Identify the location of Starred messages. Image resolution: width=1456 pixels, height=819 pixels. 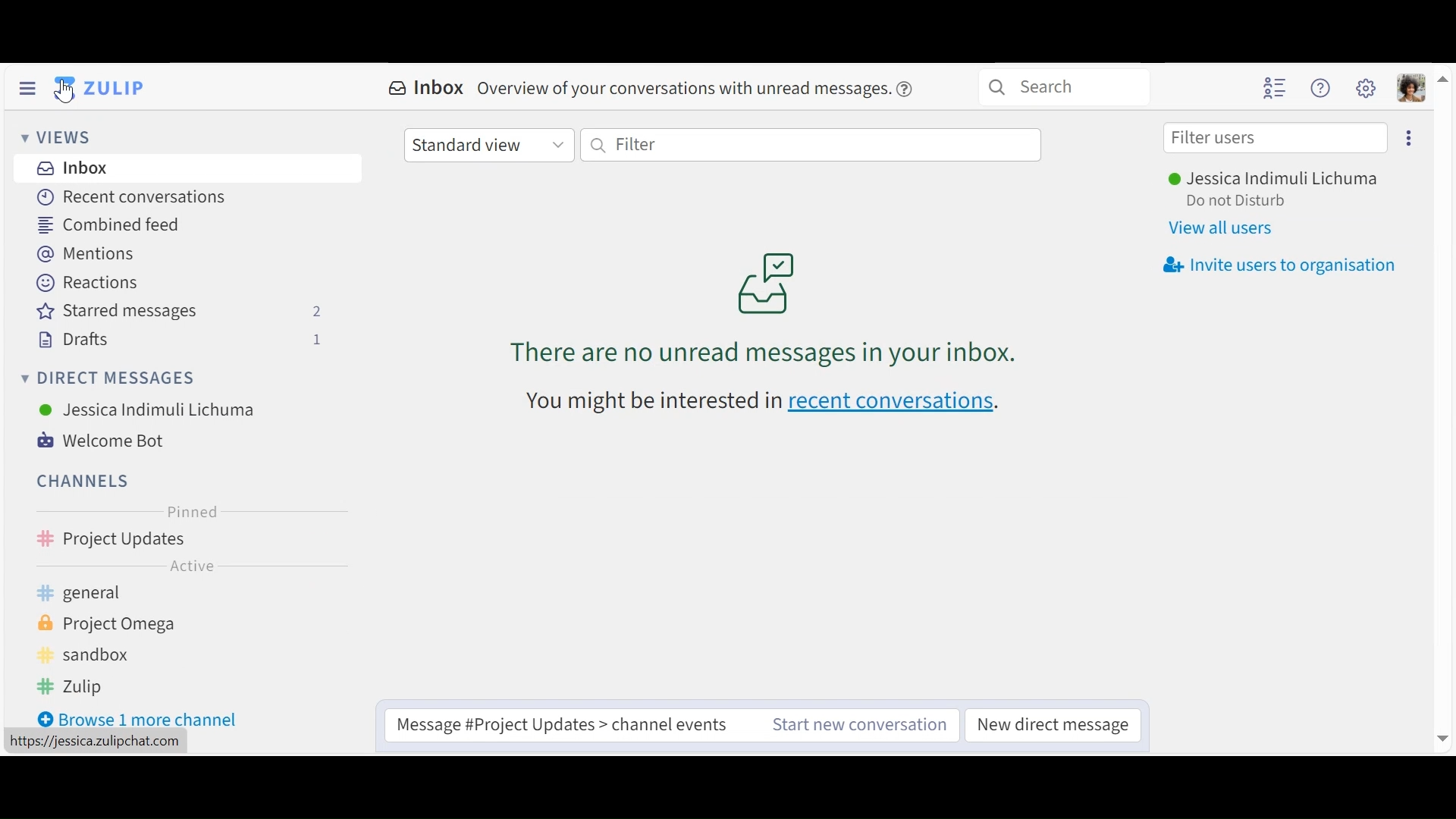
(186, 312).